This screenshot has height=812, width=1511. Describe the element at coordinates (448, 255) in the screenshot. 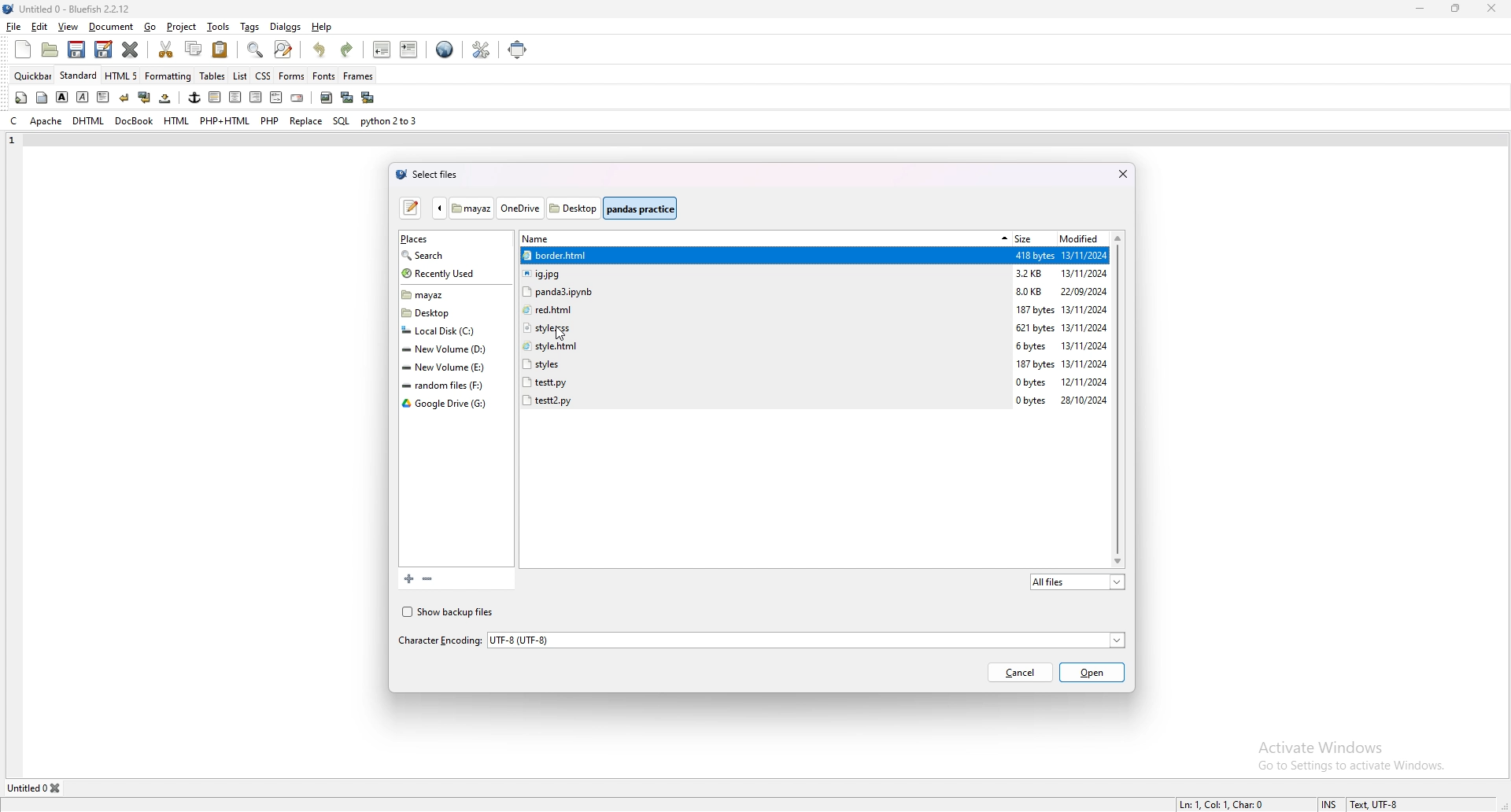

I see `search` at that location.